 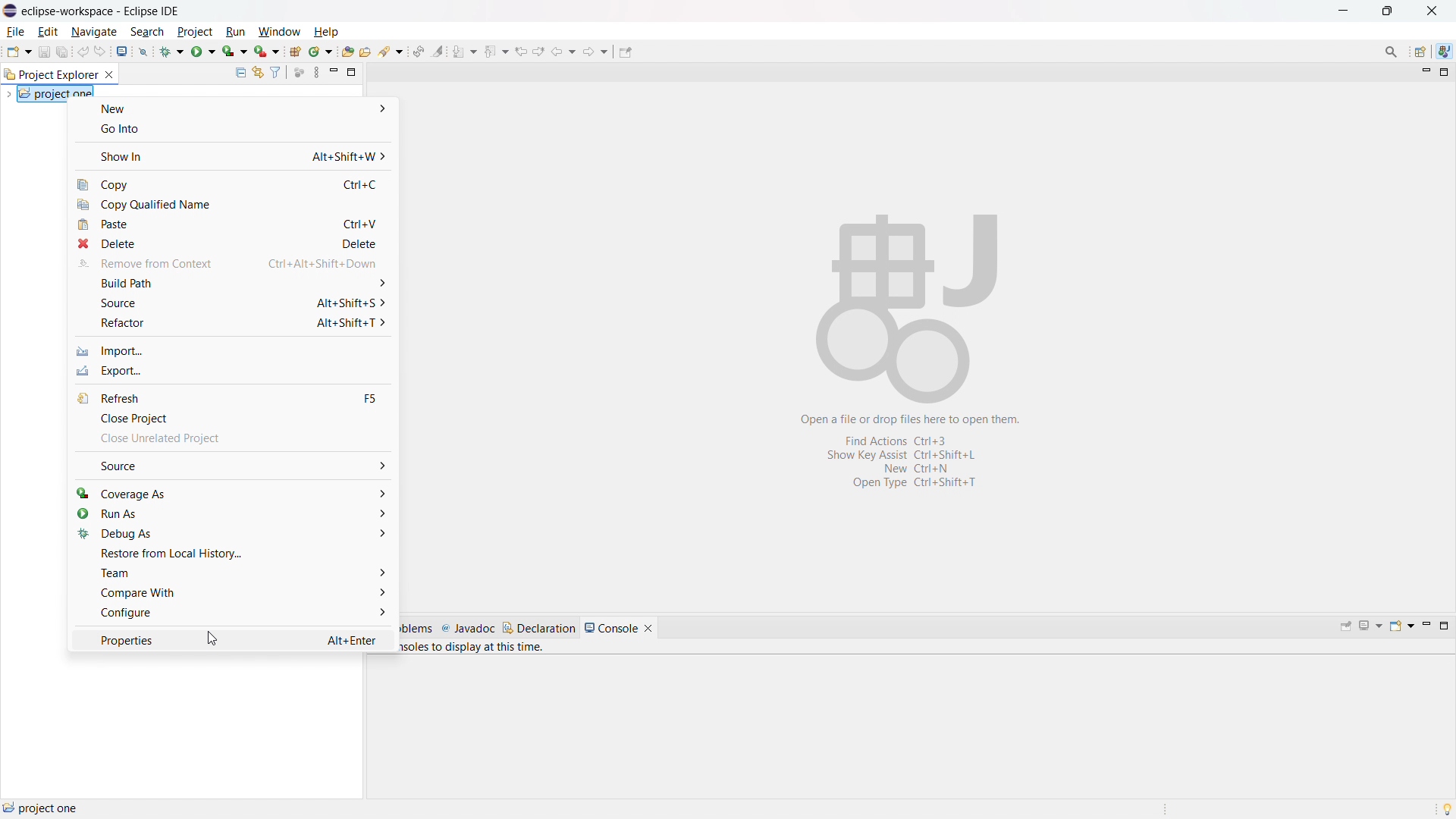 I want to click on debug, so click(x=172, y=50).